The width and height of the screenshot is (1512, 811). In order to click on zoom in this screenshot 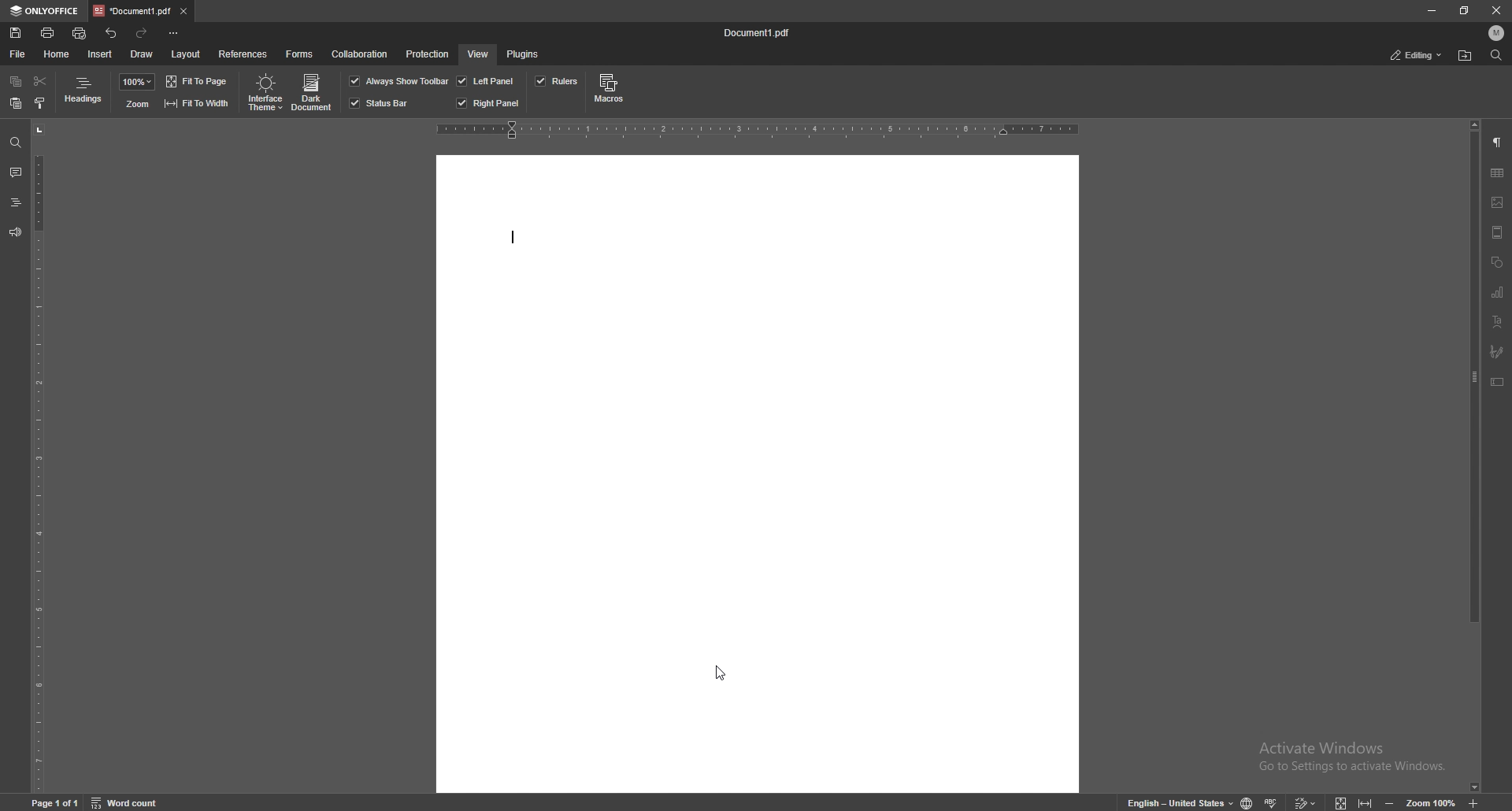, I will do `click(136, 104)`.